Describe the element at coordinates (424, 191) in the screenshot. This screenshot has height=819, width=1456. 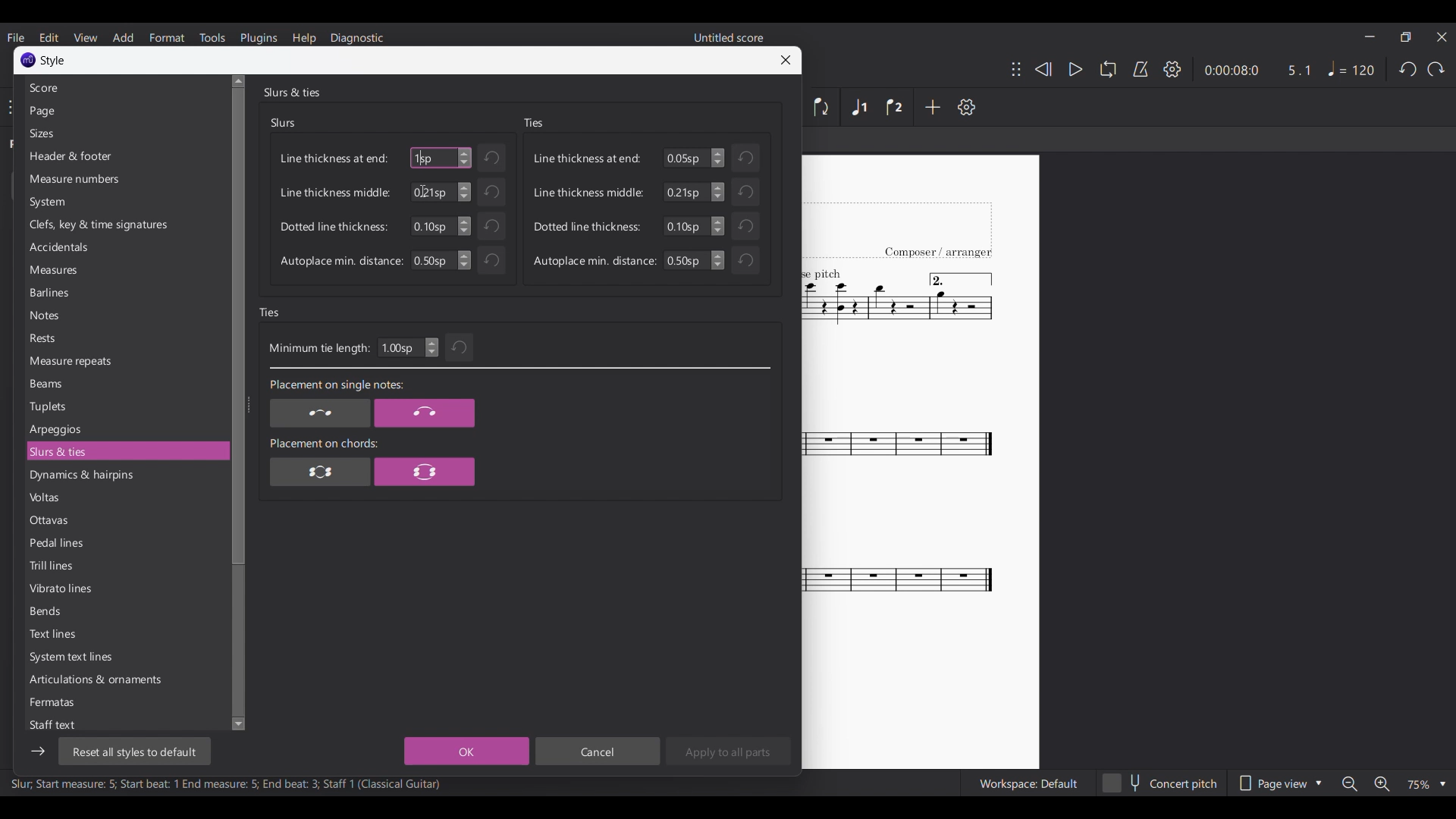
I see `Cursor` at that location.